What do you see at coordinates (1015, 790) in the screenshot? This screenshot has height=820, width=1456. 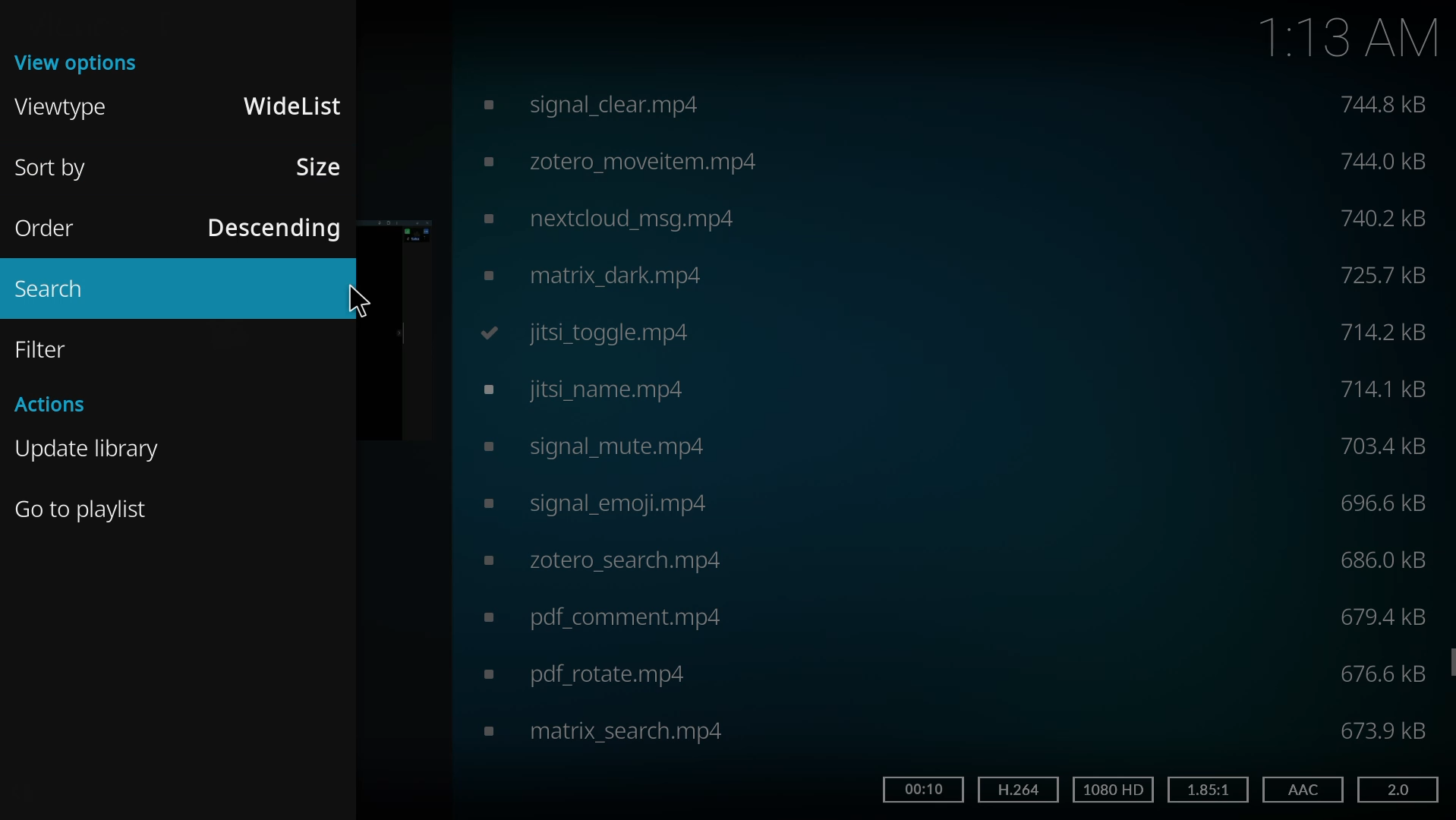 I see `h` at bounding box center [1015, 790].